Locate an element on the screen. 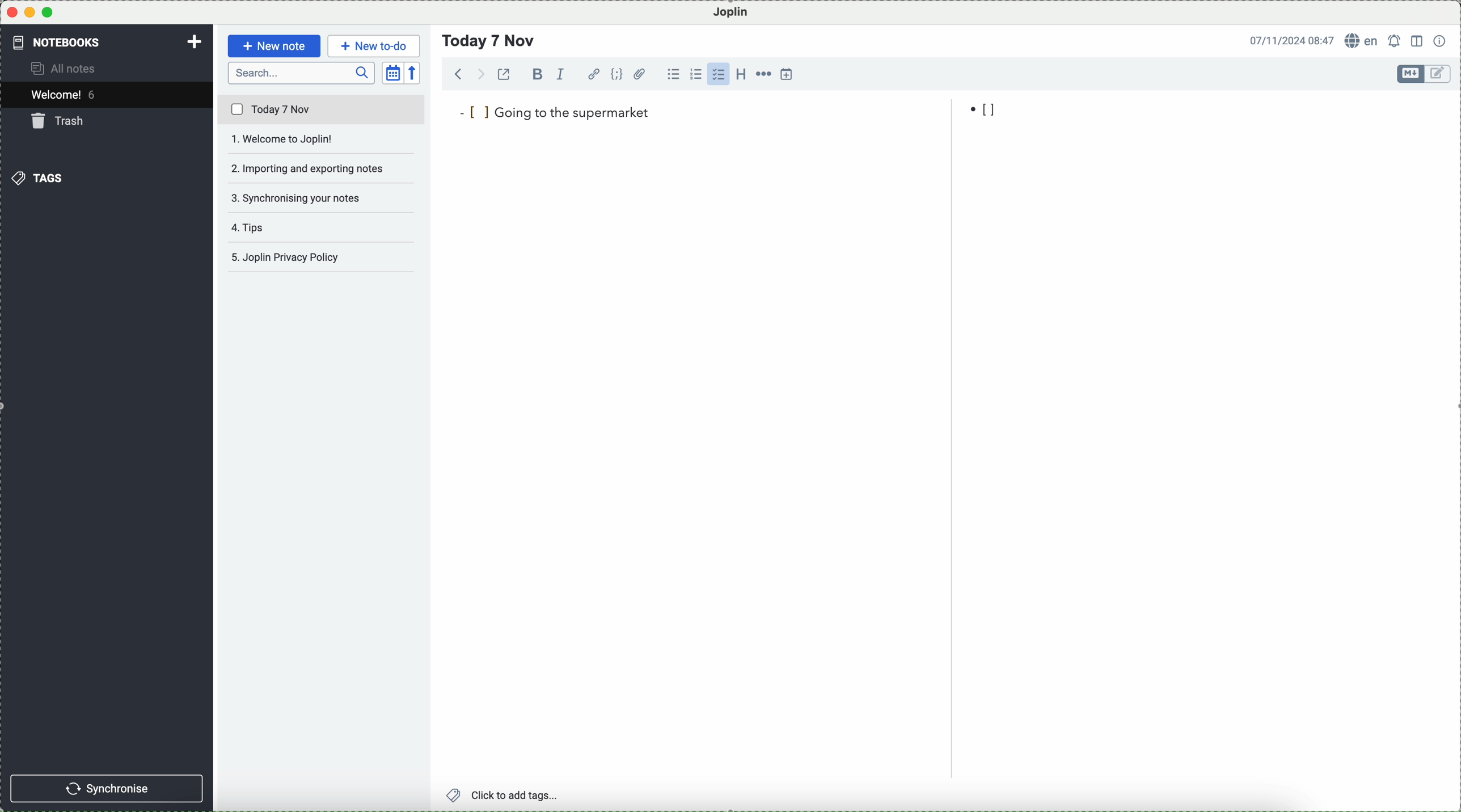 This screenshot has width=1461, height=812. back is located at coordinates (459, 73).